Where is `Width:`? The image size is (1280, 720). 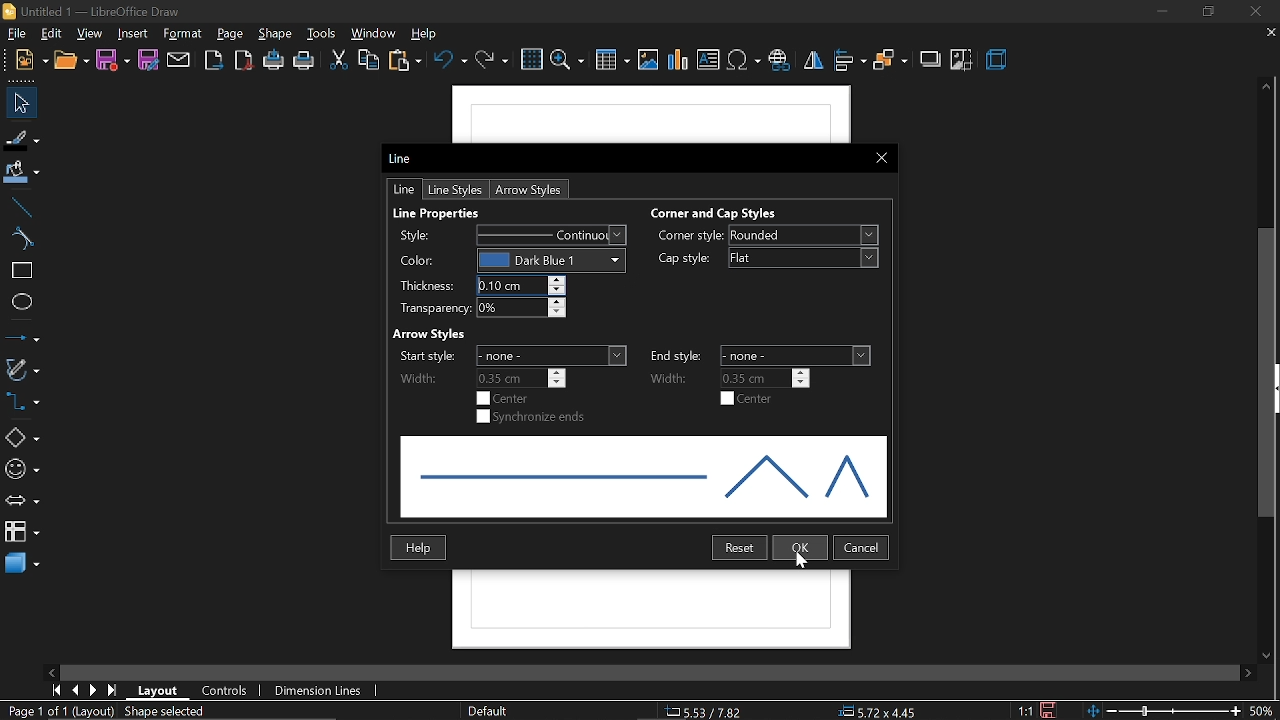
Width: is located at coordinates (419, 379).